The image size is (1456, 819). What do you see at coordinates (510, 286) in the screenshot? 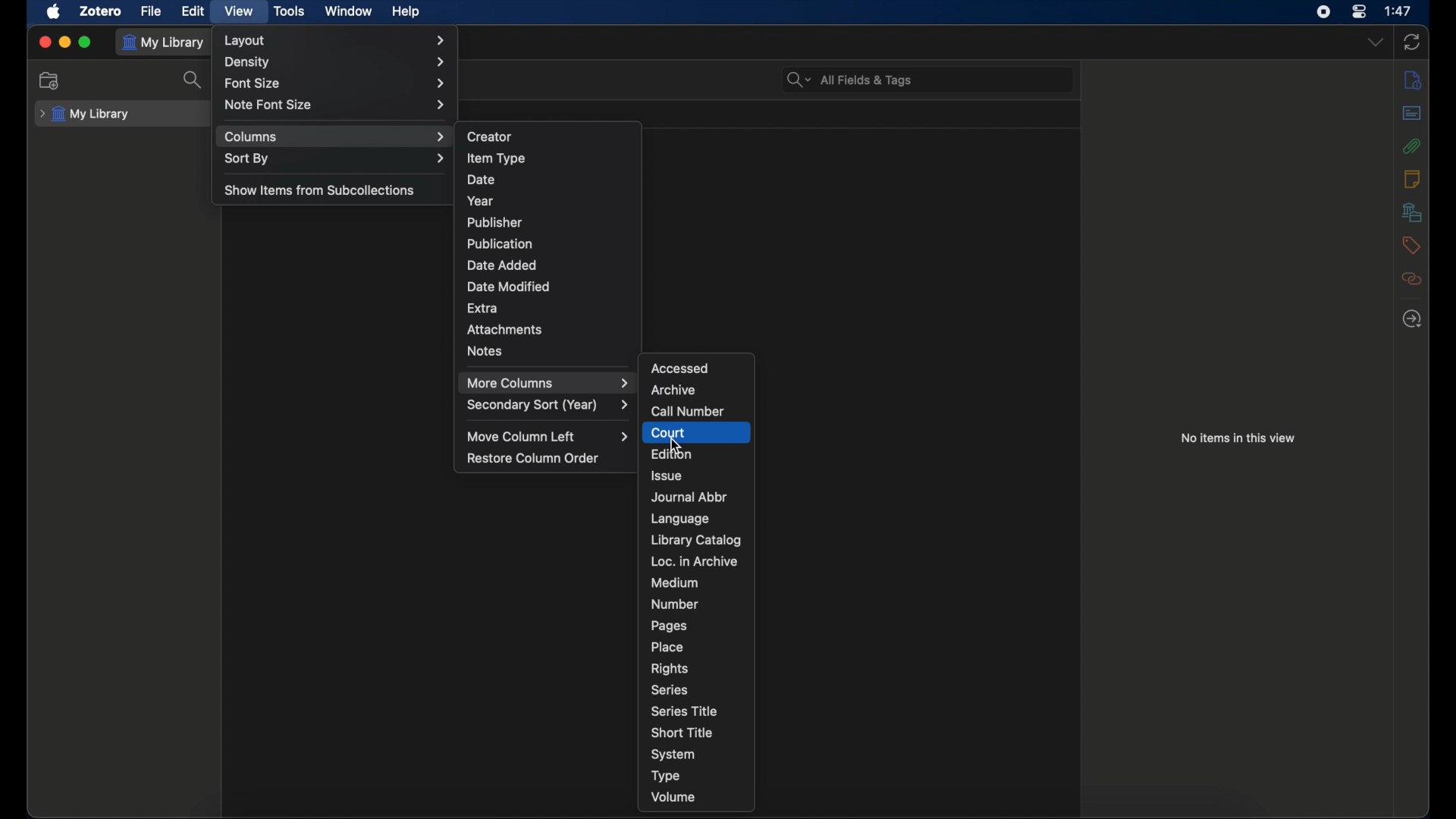
I see `date modified` at bounding box center [510, 286].